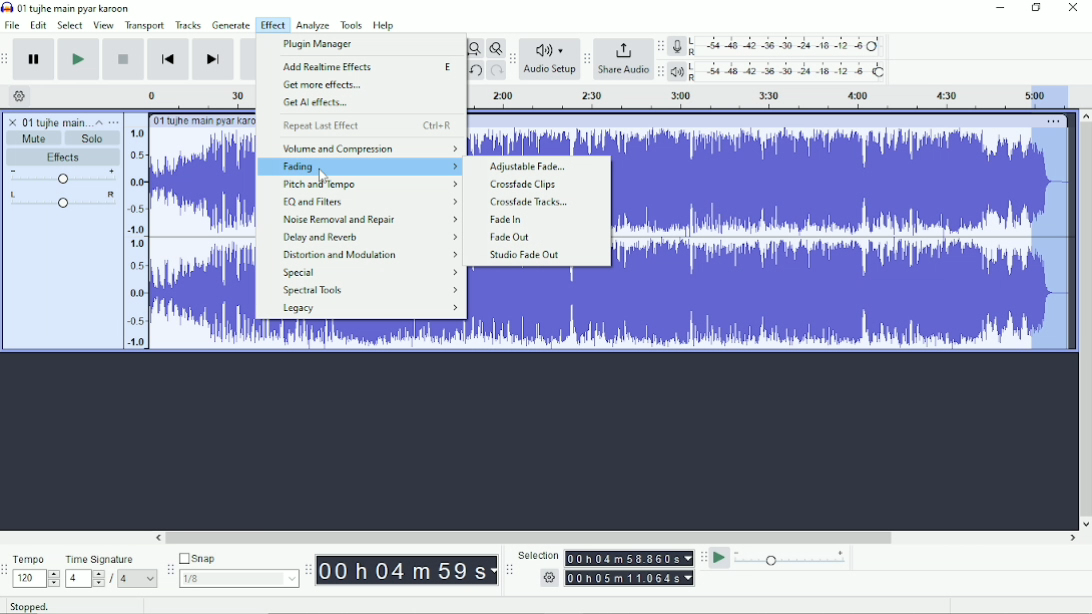 Image resolution: width=1092 pixels, height=614 pixels. Describe the element at coordinates (309, 570) in the screenshot. I see `Audacity time toolbar` at that location.